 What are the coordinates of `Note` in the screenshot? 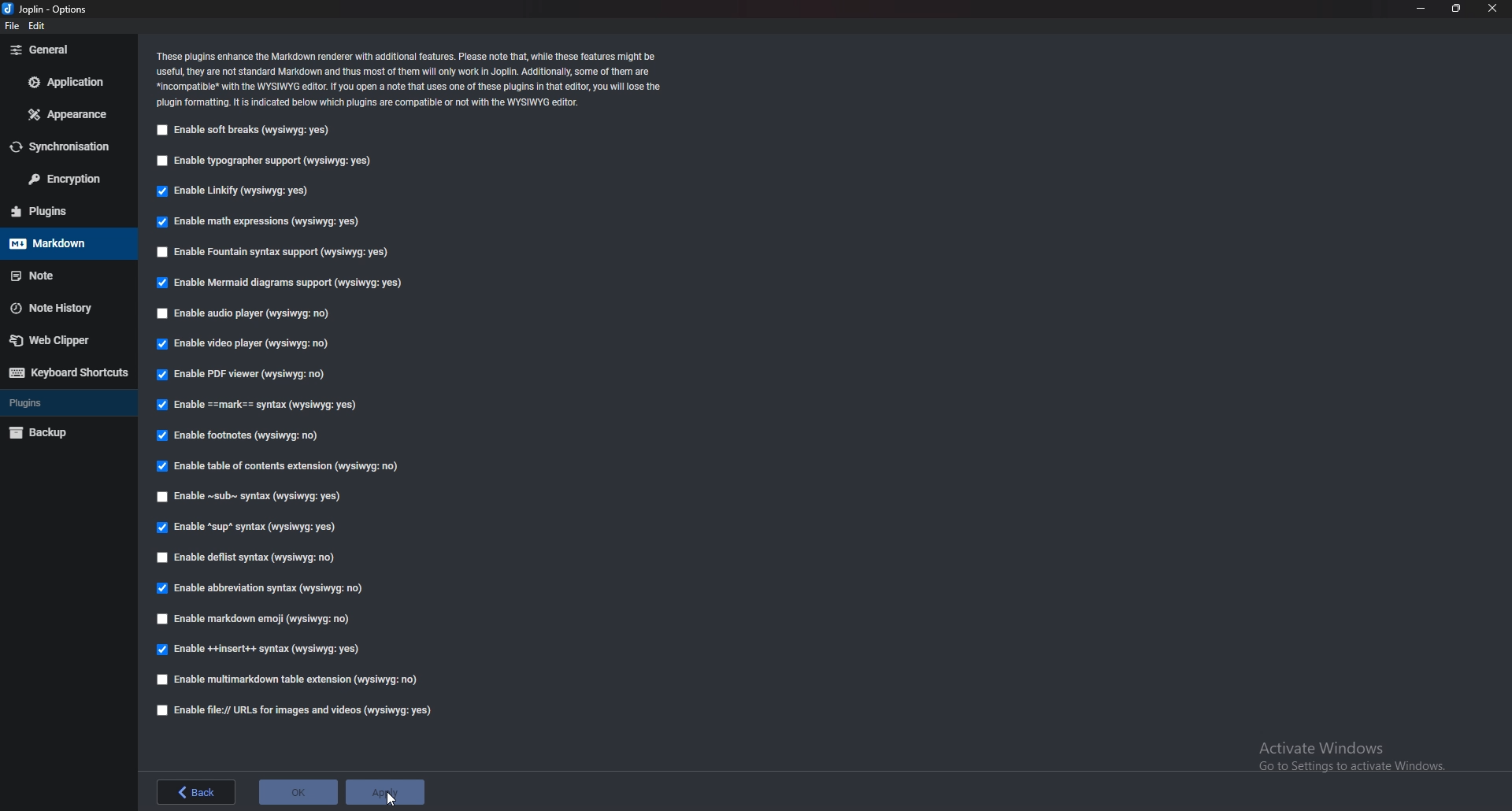 It's located at (61, 275).